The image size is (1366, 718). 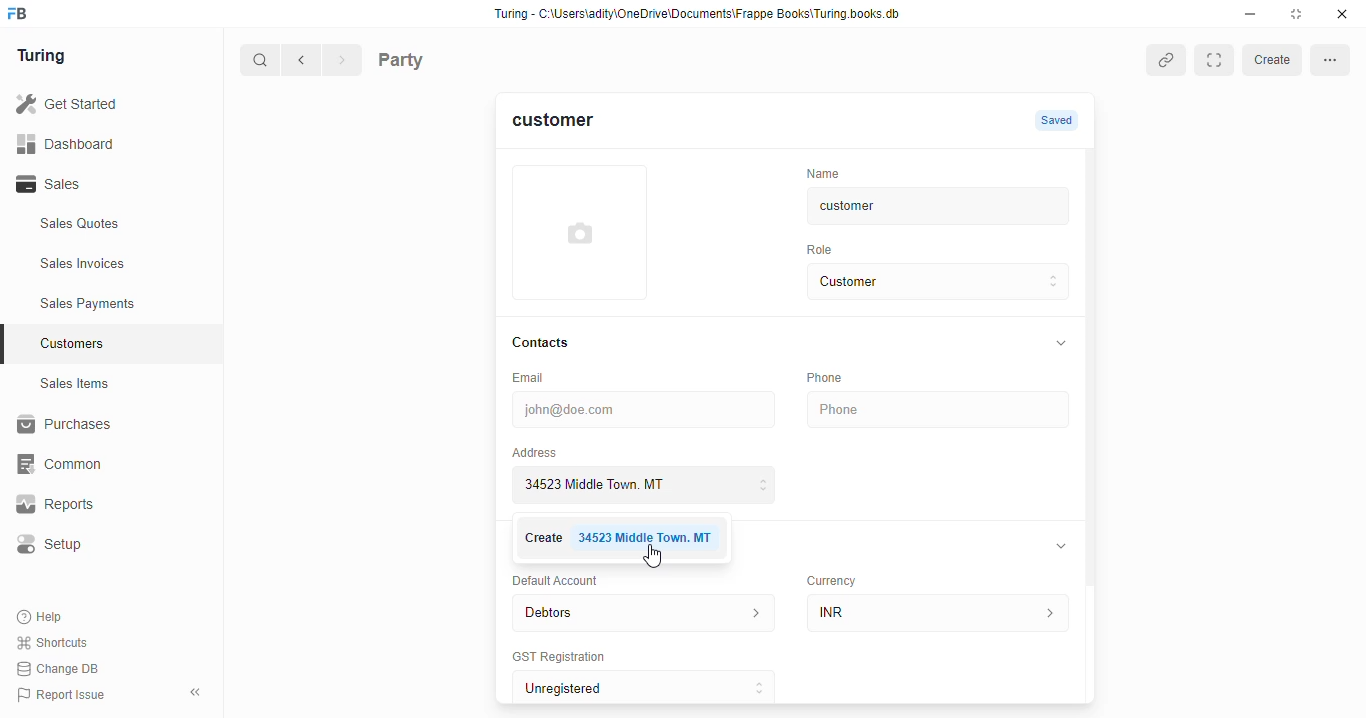 I want to click on forward, so click(x=344, y=62).